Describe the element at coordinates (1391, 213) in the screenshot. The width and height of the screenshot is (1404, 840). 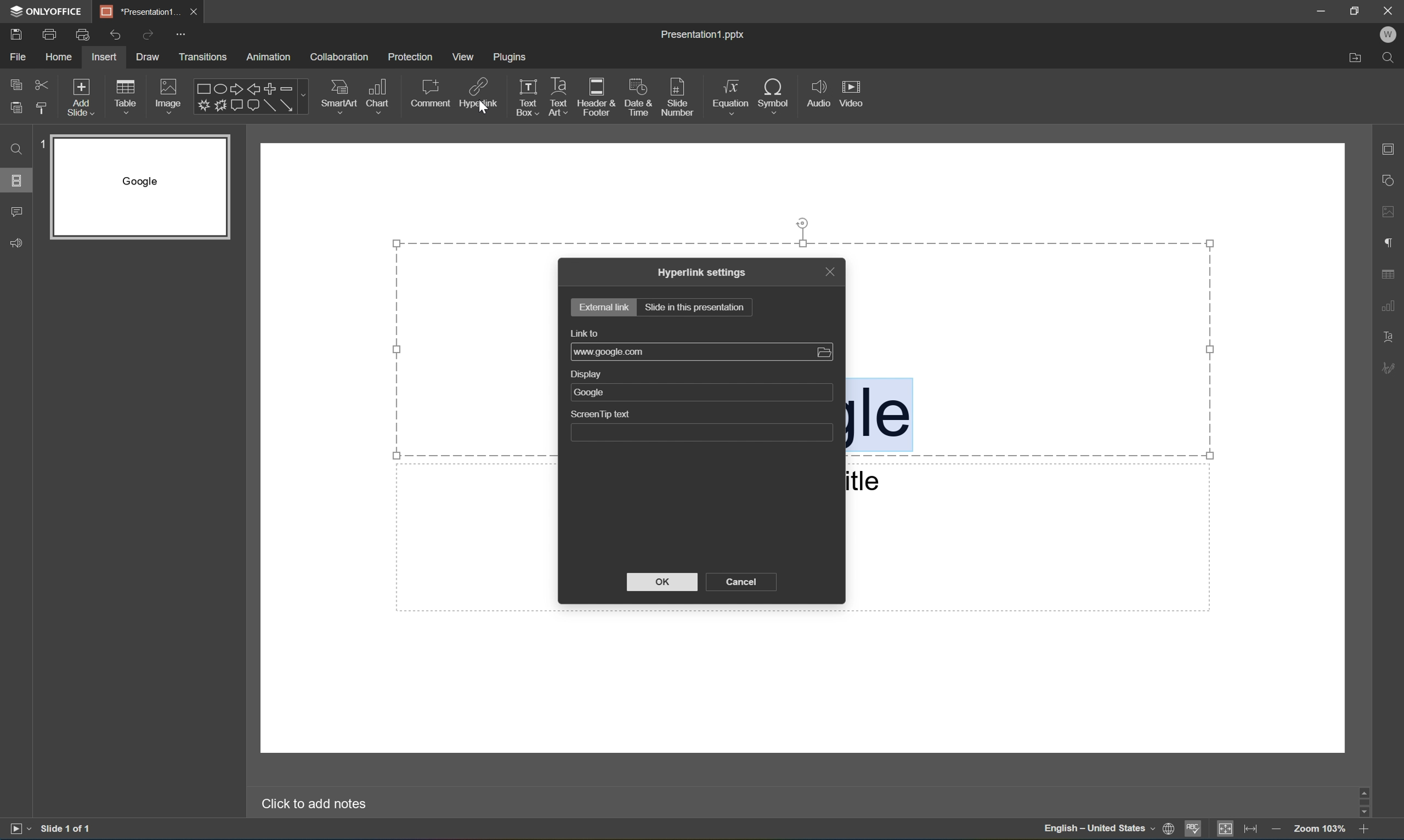
I see `Image settings` at that location.